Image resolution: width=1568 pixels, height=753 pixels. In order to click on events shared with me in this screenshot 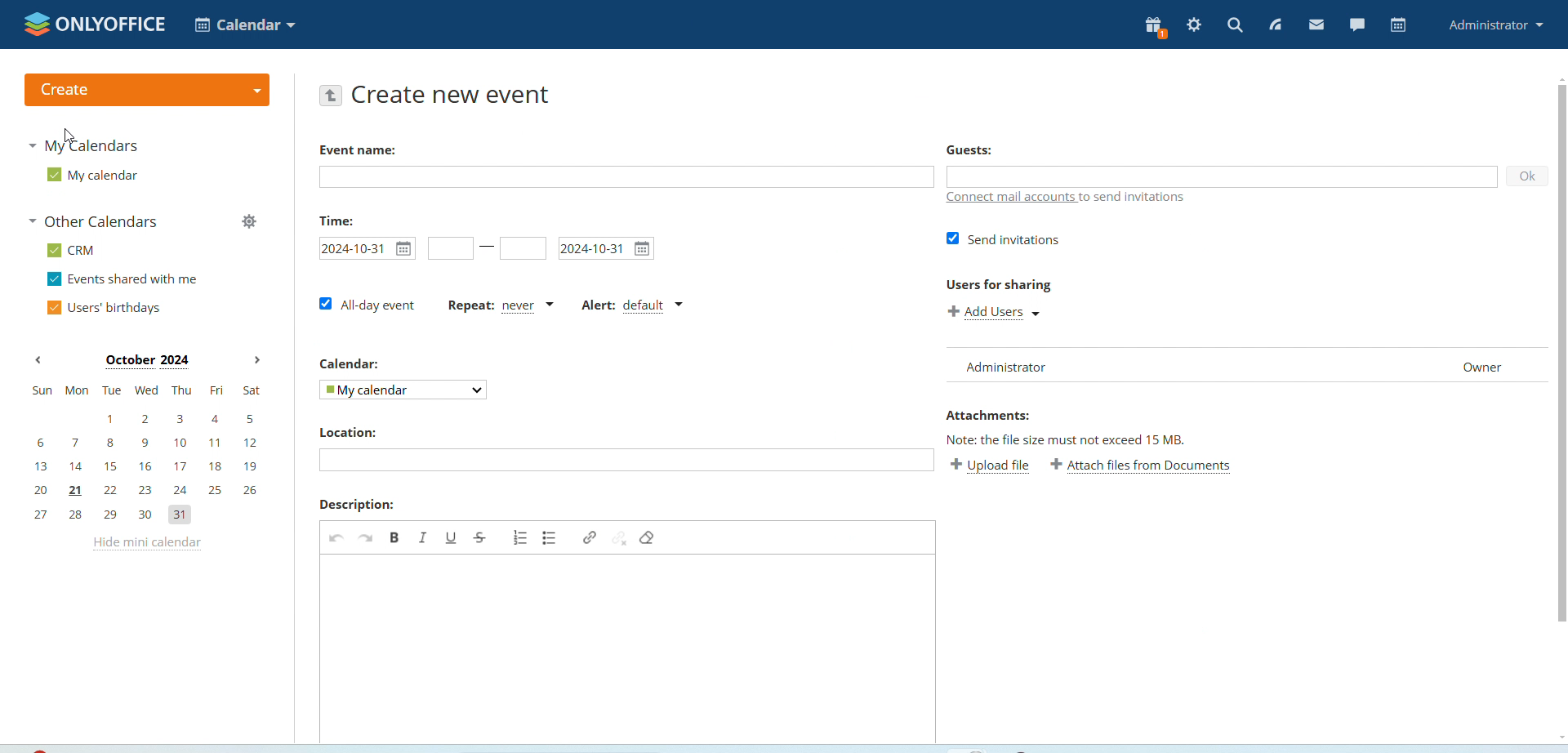, I will do `click(121, 278)`.